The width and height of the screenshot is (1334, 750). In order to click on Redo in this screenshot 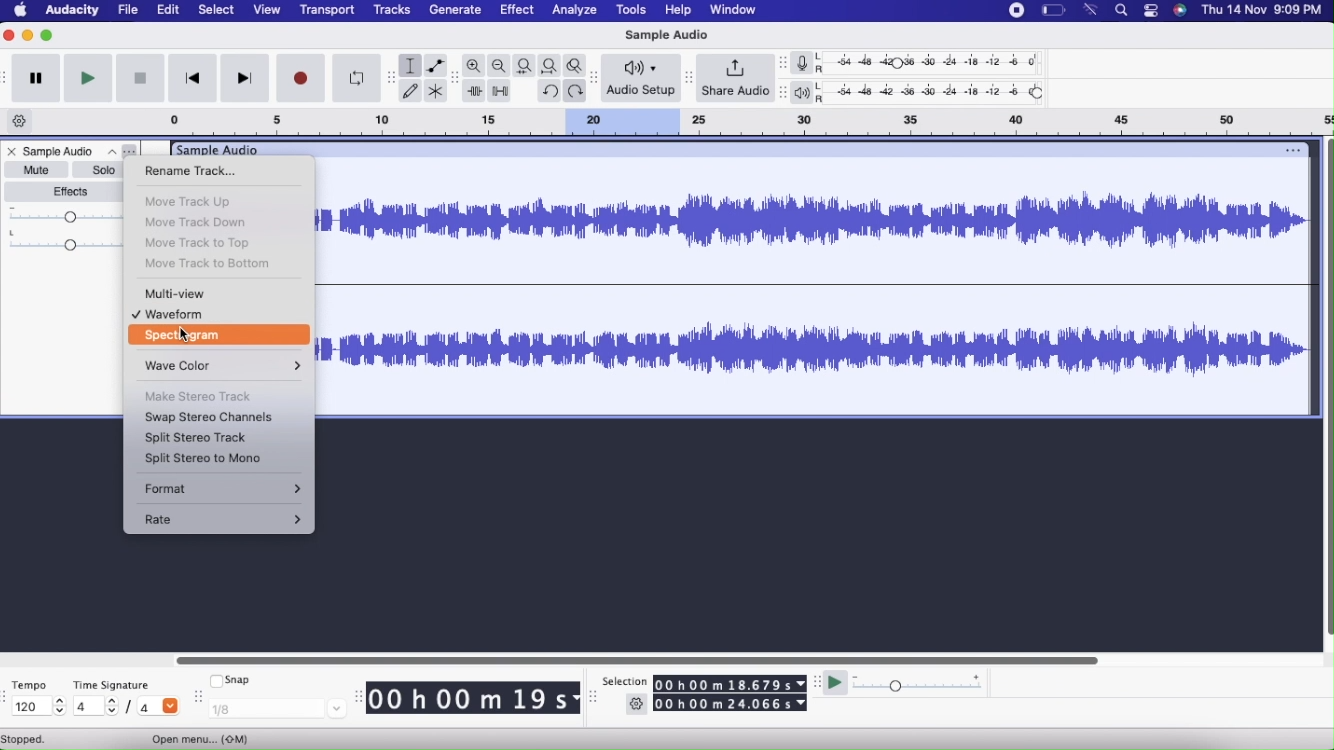, I will do `click(576, 91)`.